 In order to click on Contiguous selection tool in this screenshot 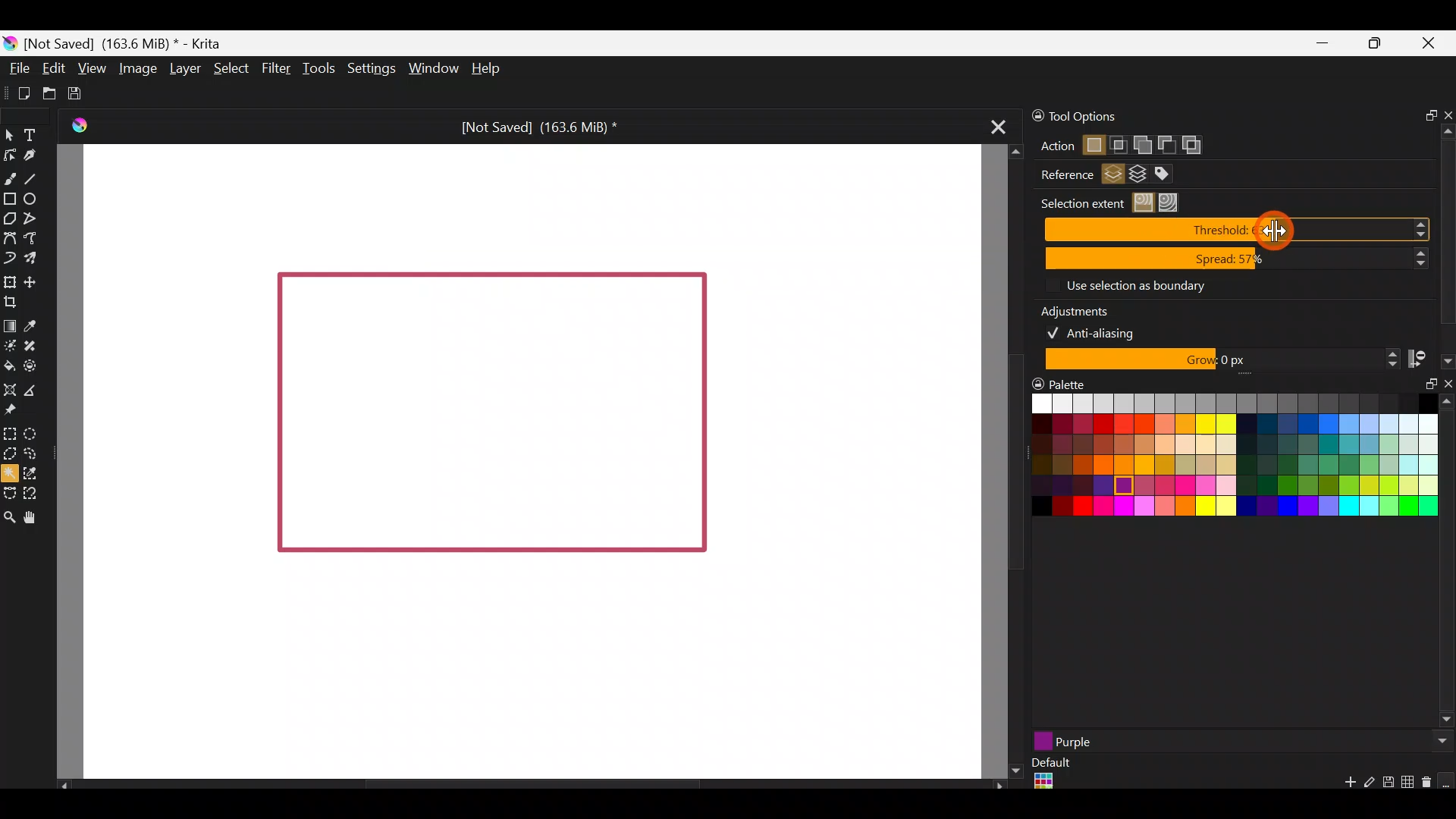, I will do `click(11, 473)`.